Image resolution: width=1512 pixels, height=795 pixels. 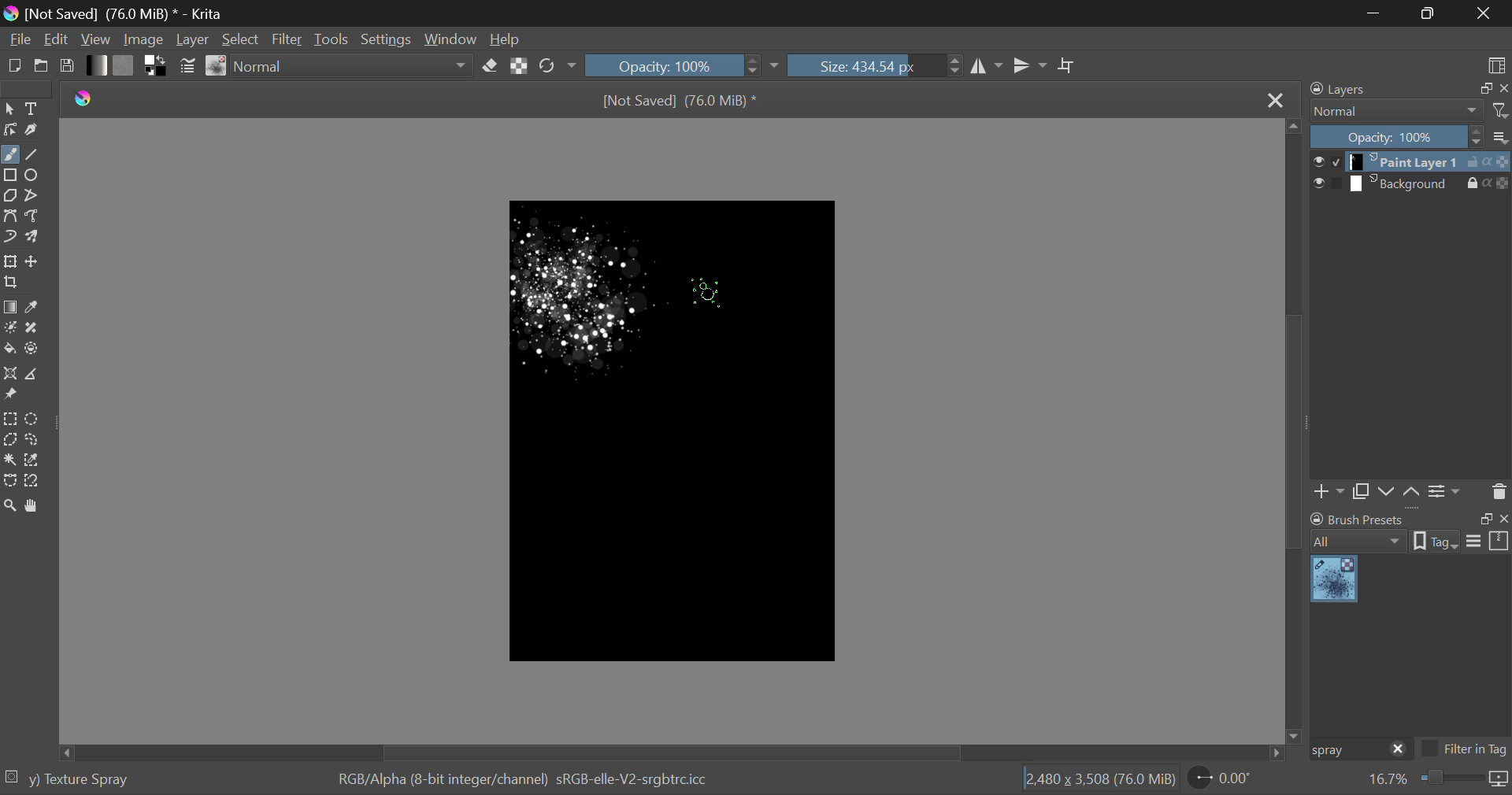 What do you see at coordinates (65, 65) in the screenshot?
I see `Save` at bounding box center [65, 65].